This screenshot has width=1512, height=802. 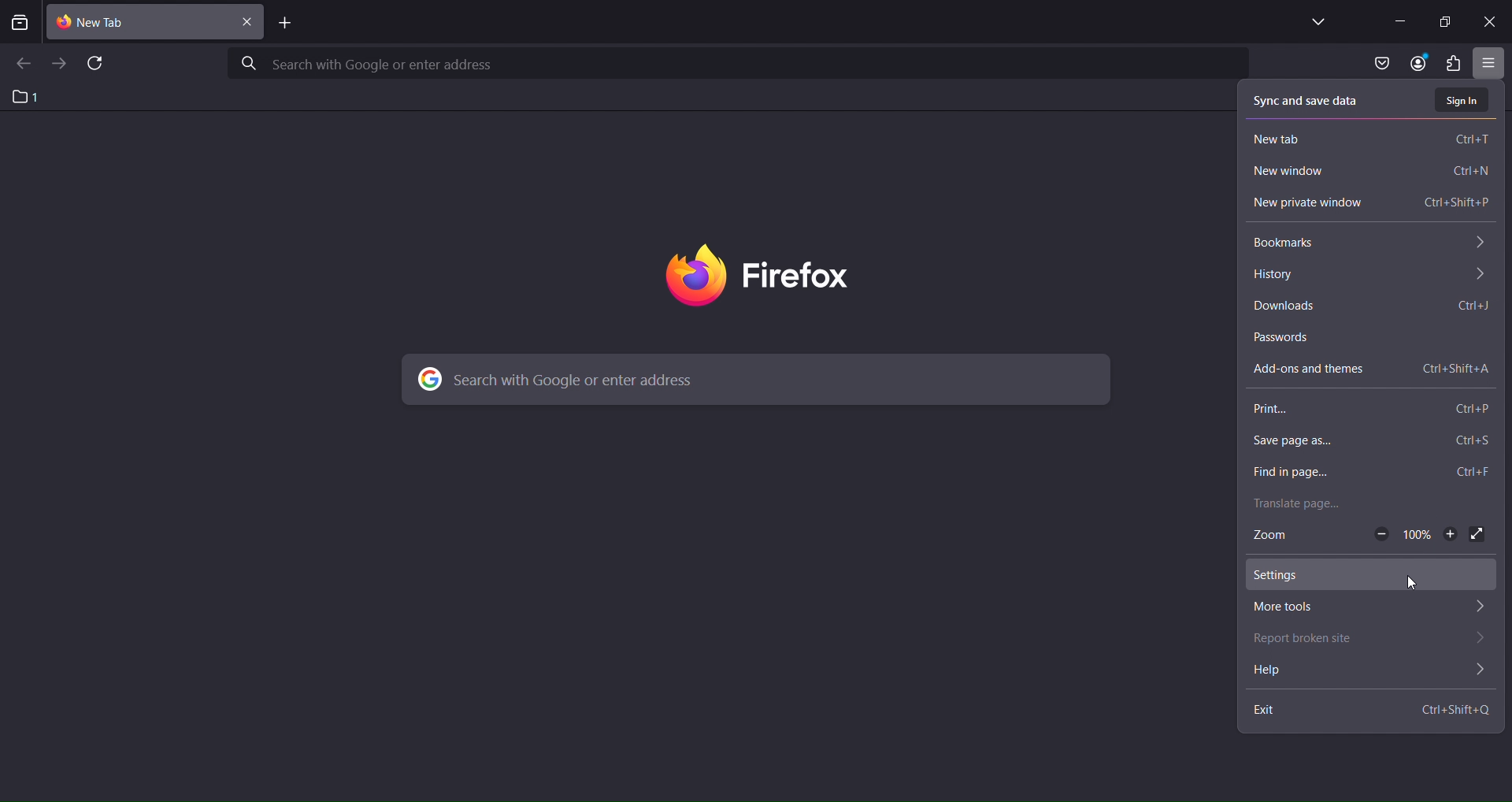 I want to click on menu, so click(x=1452, y=64).